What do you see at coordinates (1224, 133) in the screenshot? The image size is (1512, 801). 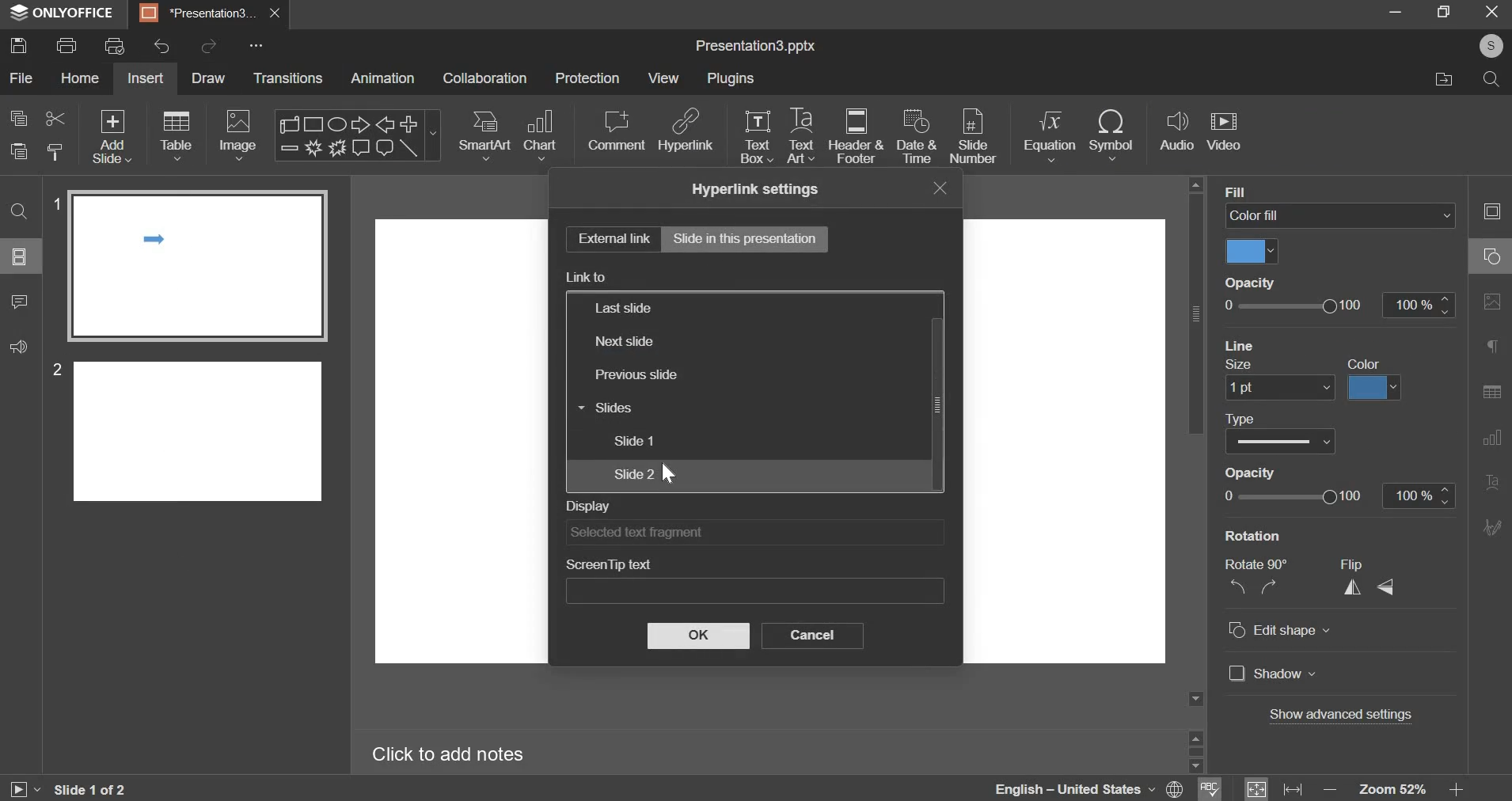 I see `video` at bounding box center [1224, 133].